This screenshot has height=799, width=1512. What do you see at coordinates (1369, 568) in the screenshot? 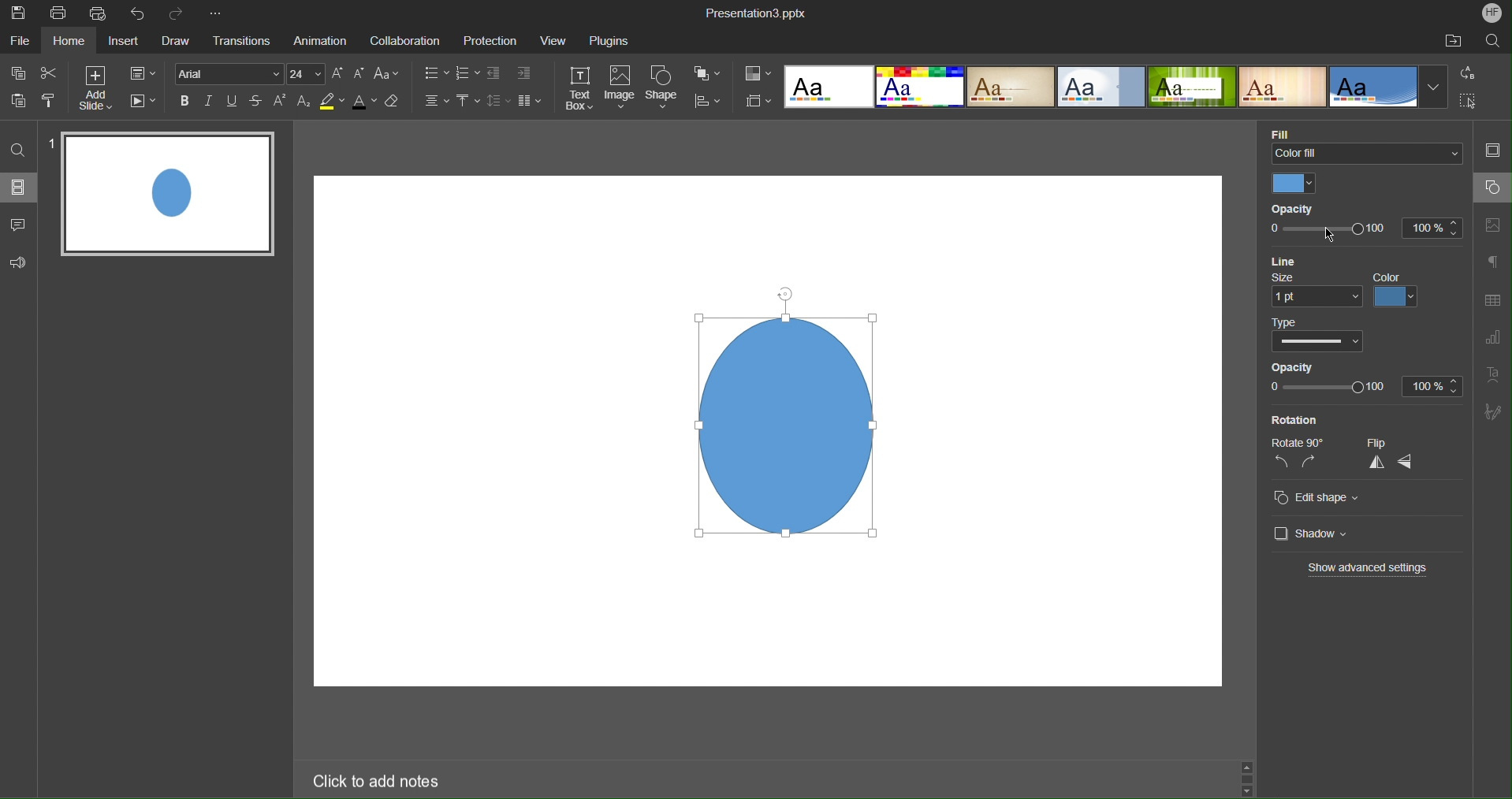
I see `Show advanced settings` at bounding box center [1369, 568].